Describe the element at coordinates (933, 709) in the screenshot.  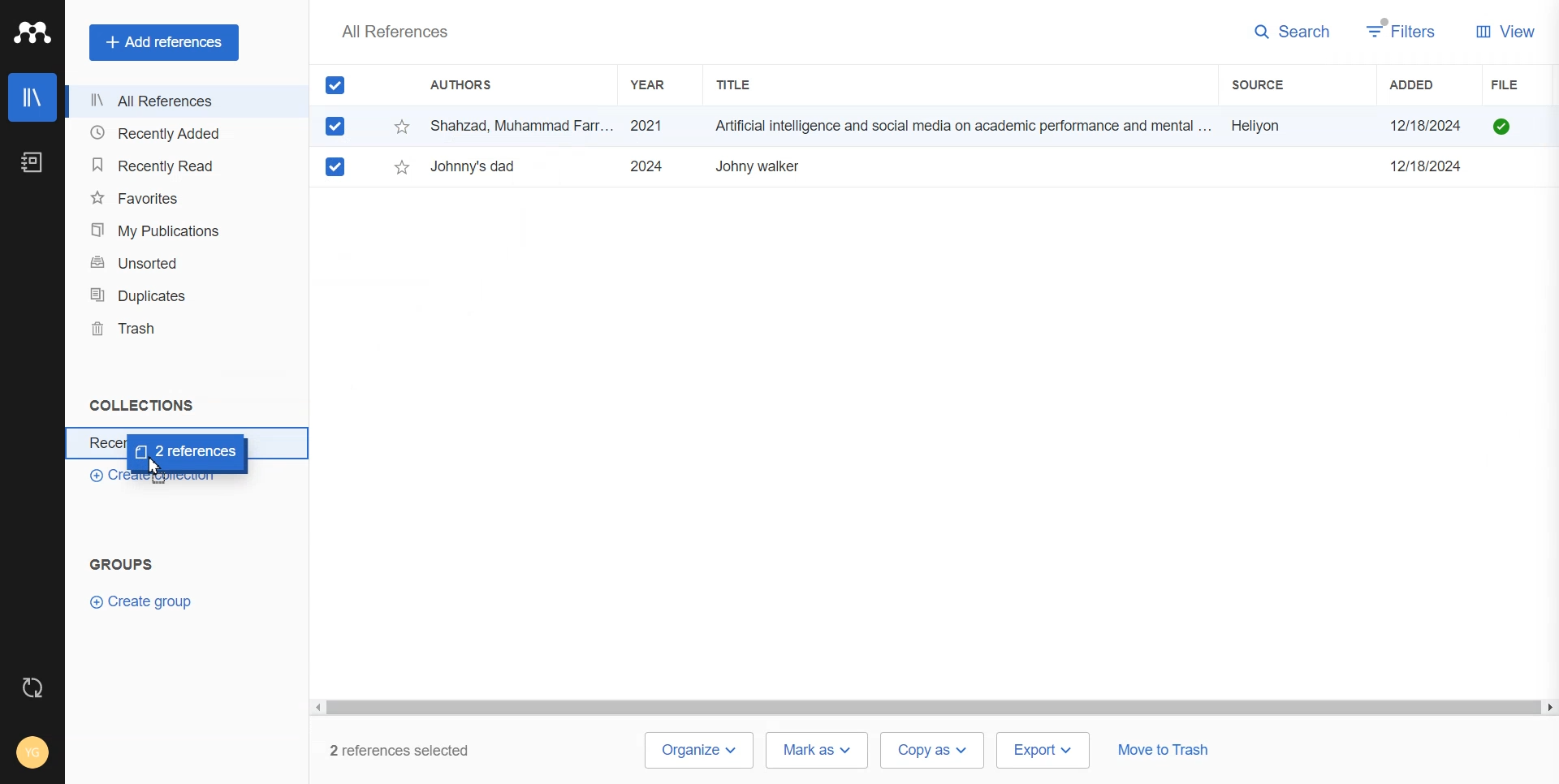
I see `scrollbar` at that location.